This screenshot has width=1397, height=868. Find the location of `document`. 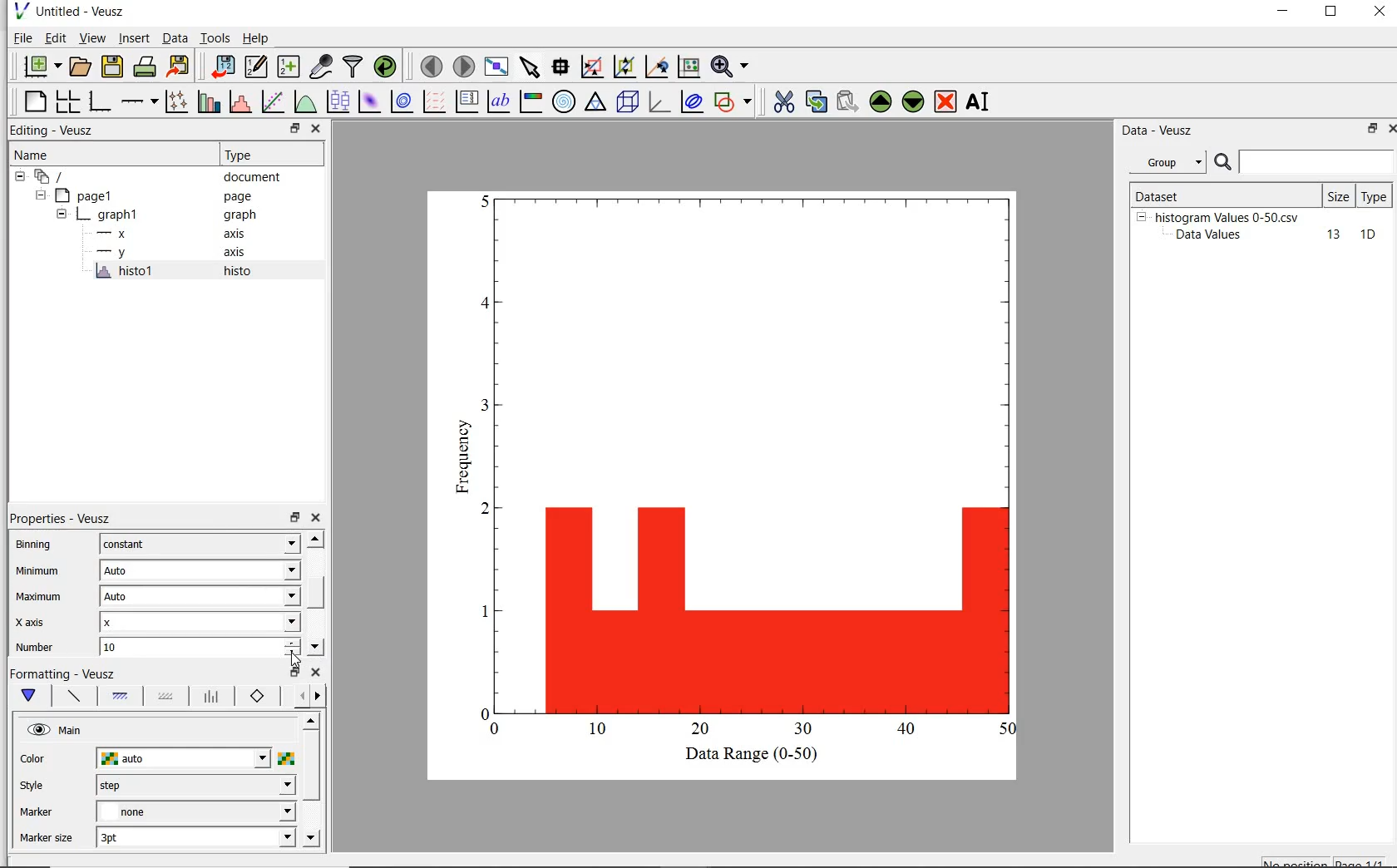

document is located at coordinates (253, 179).